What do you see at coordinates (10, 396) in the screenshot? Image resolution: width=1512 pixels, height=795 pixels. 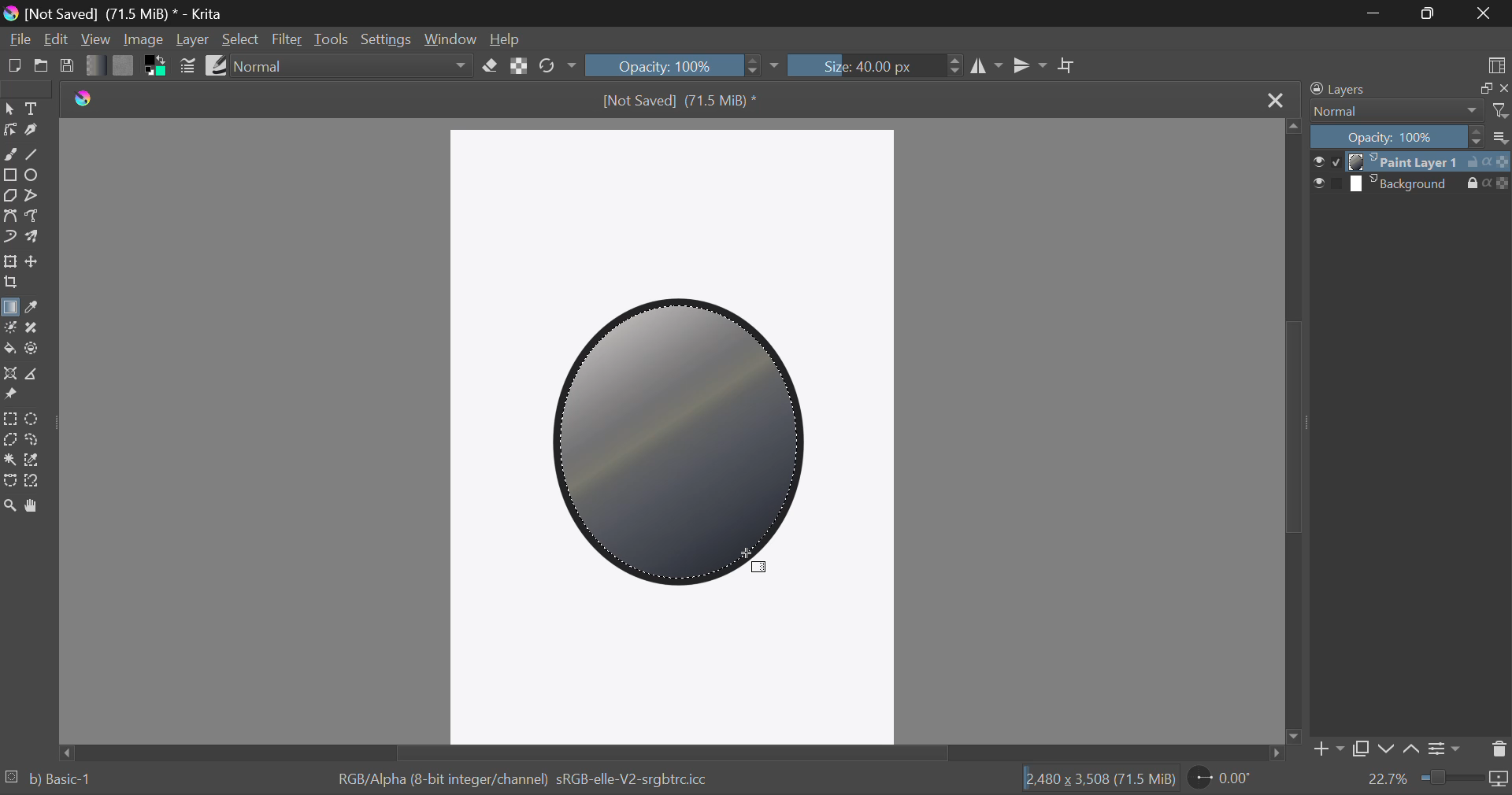 I see `Reference Images` at bounding box center [10, 396].